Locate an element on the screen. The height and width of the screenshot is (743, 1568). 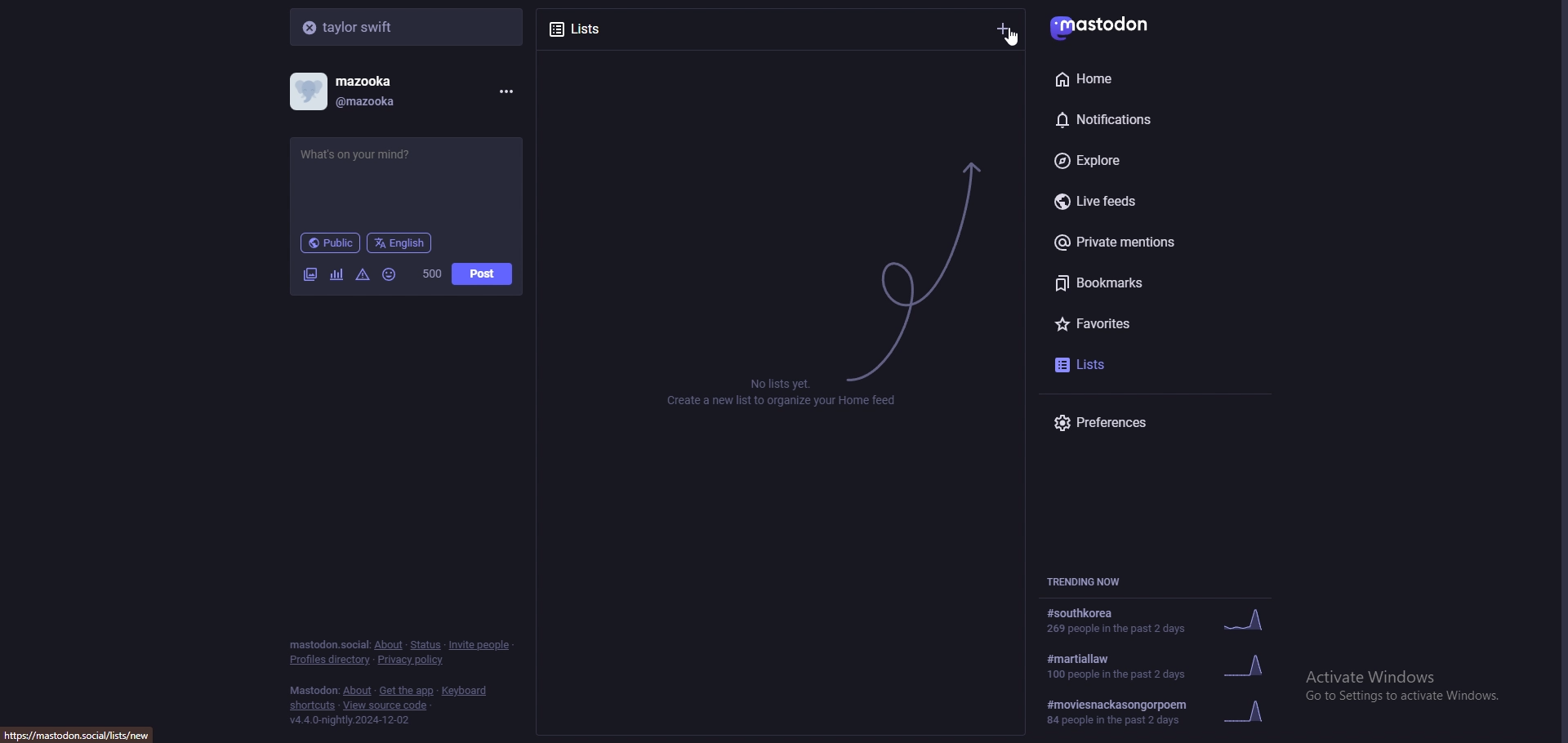
word limit is located at coordinates (430, 274).